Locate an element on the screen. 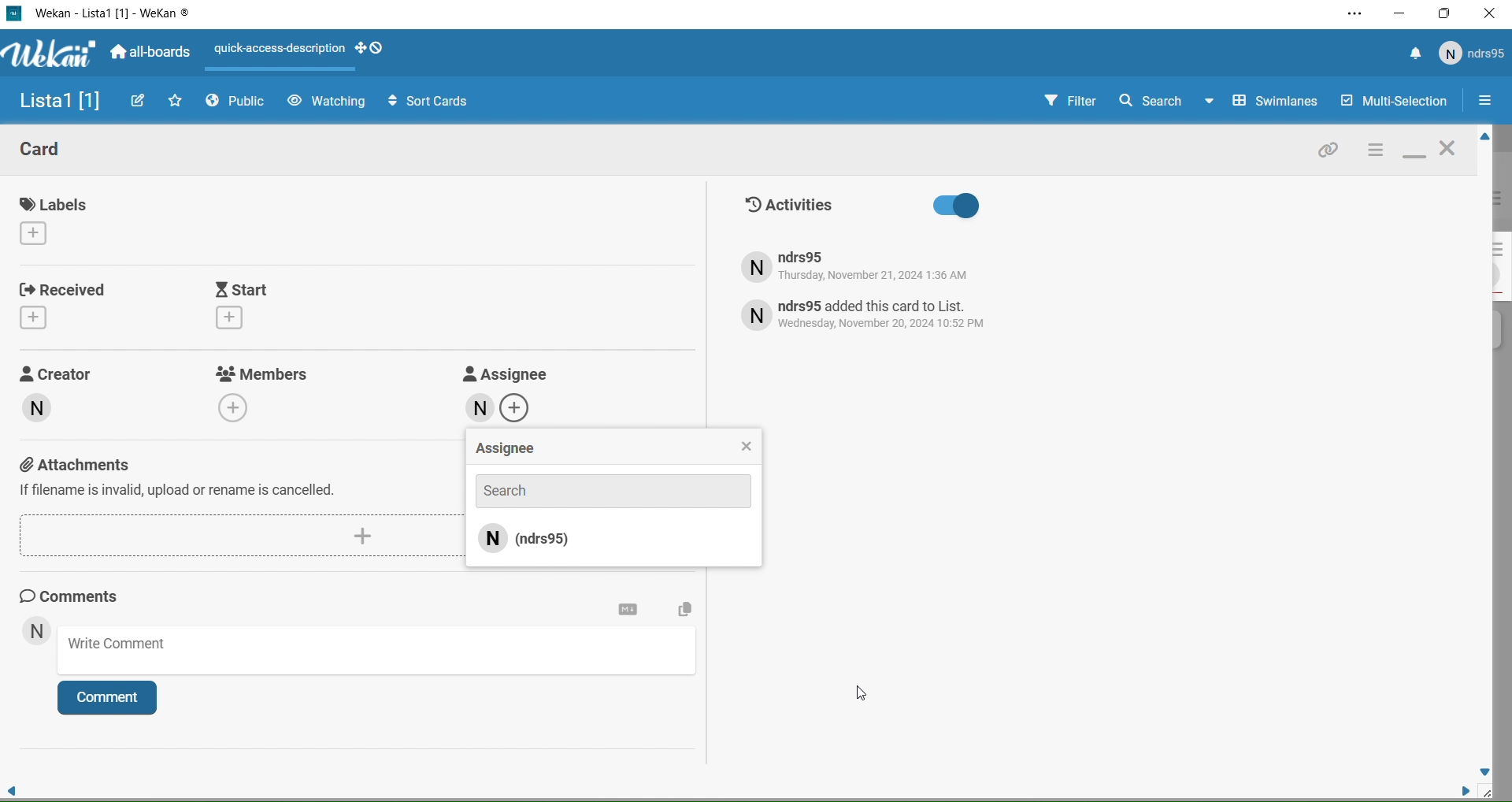 Image resolution: width=1512 pixels, height=802 pixels. Minimize is located at coordinates (1400, 13).